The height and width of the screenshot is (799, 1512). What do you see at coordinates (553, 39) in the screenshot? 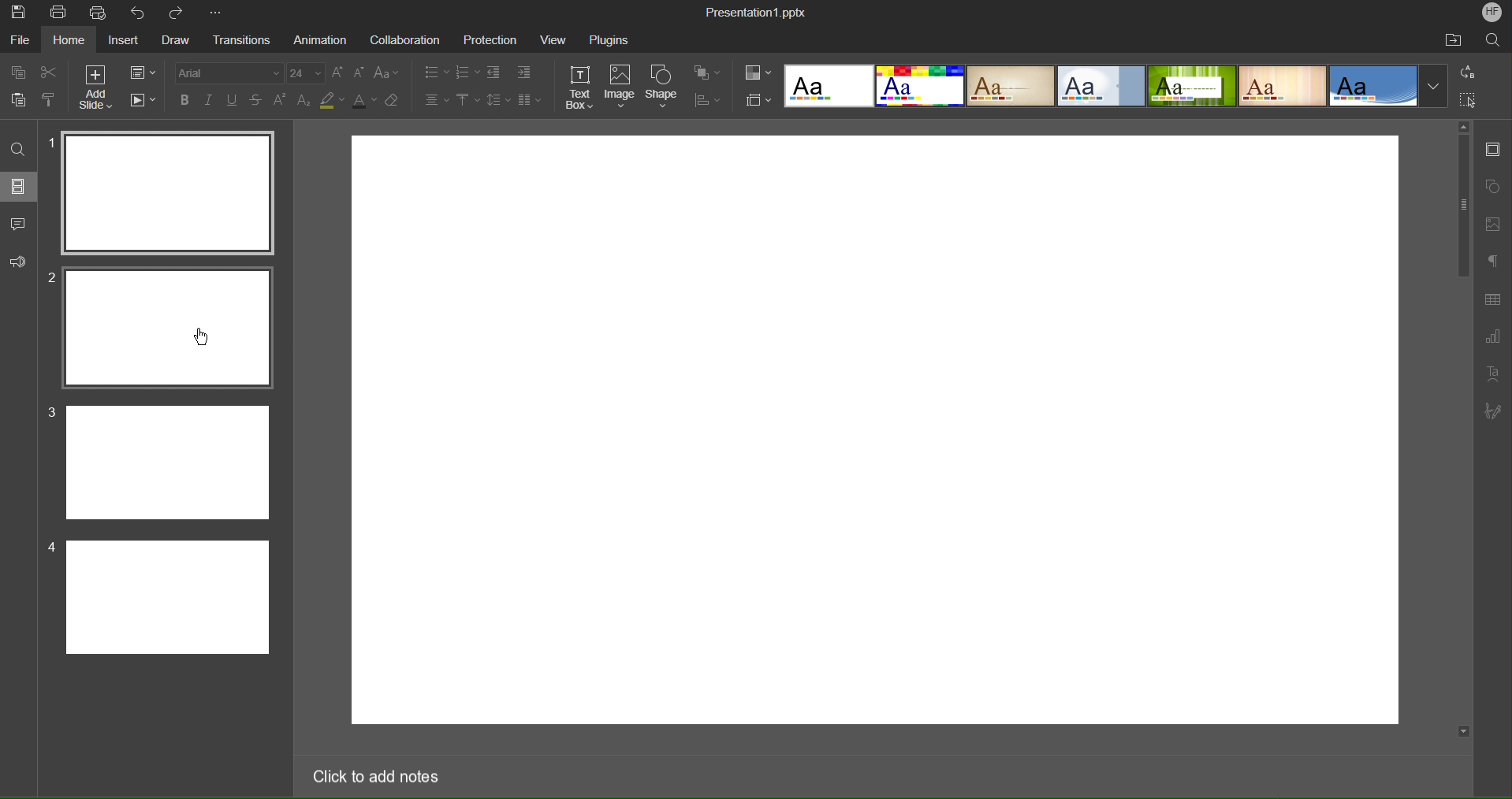
I see `View` at bounding box center [553, 39].